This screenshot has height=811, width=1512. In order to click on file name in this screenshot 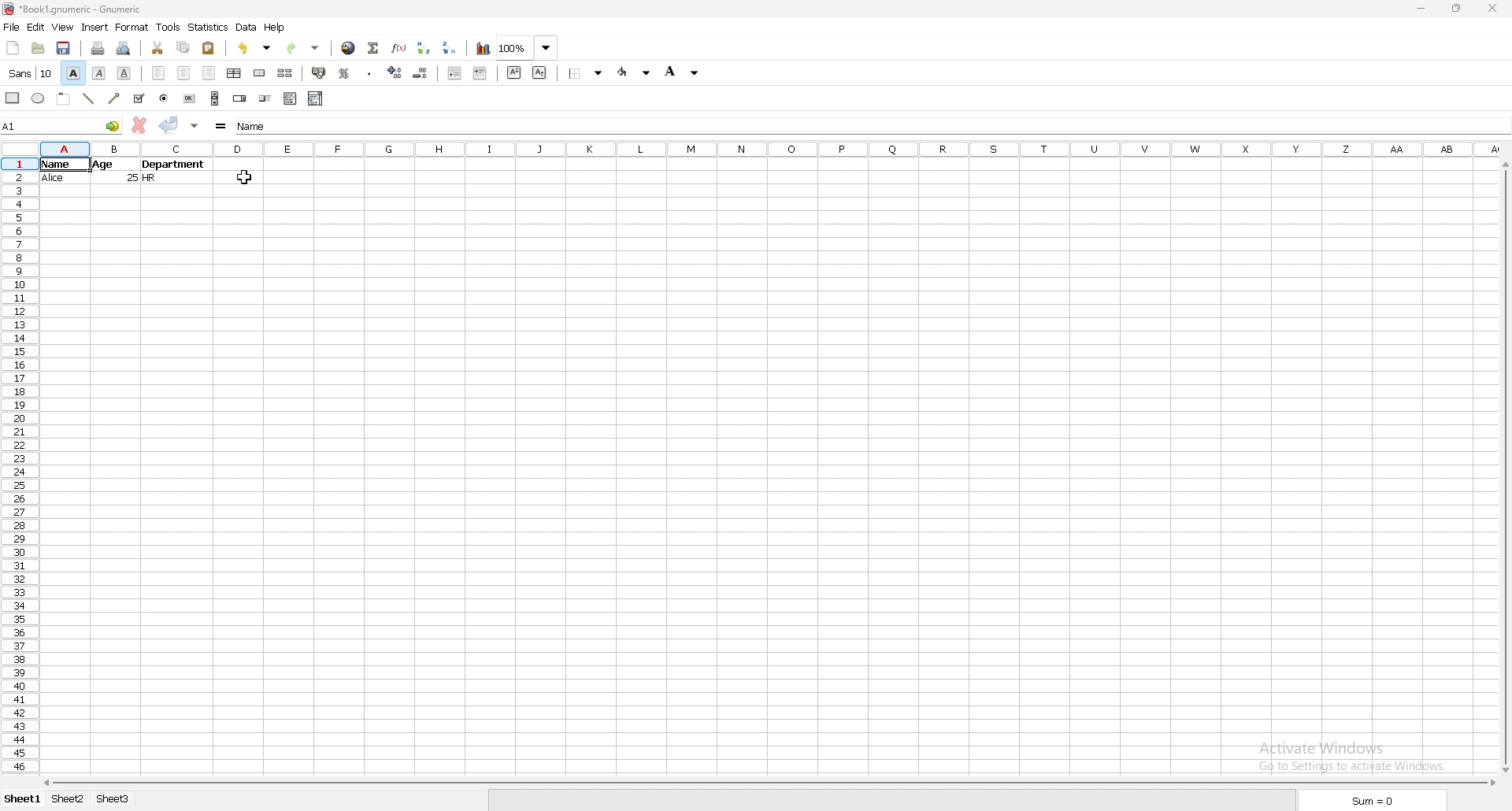, I will do `click(75, 9)`.